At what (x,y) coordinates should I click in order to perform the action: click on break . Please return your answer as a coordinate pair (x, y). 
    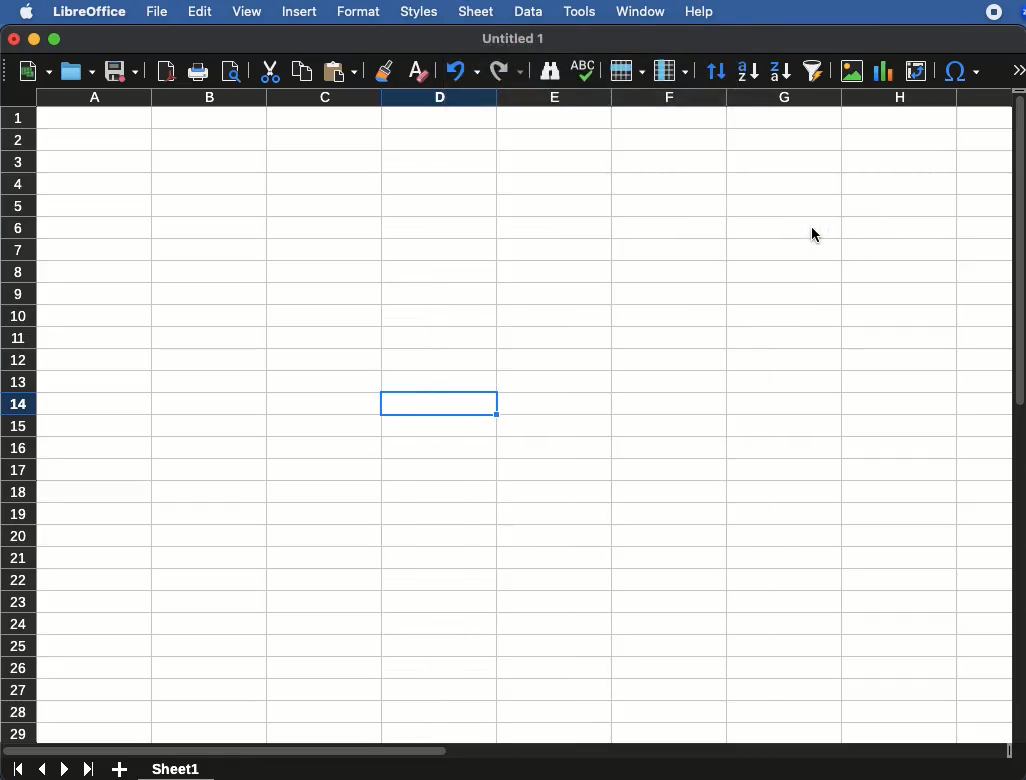
    Looking at the image, I should click on (498, 424).